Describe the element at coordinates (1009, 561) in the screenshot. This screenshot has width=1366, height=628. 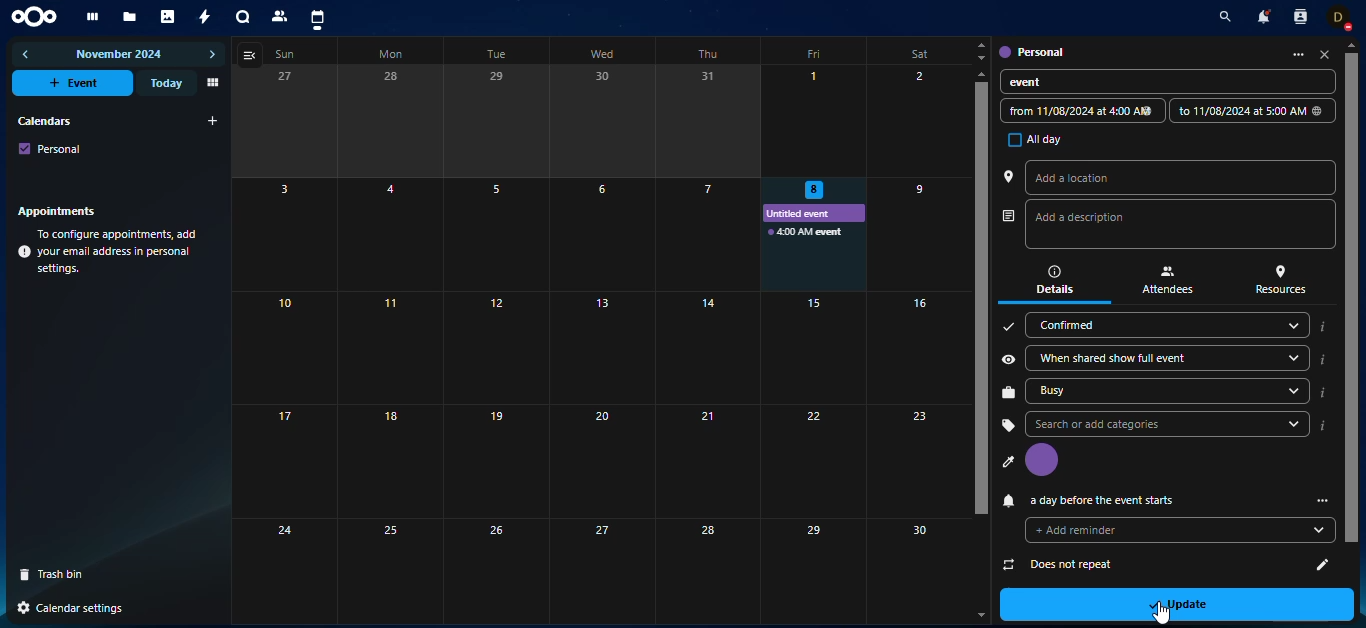
I see `attach` at that location.